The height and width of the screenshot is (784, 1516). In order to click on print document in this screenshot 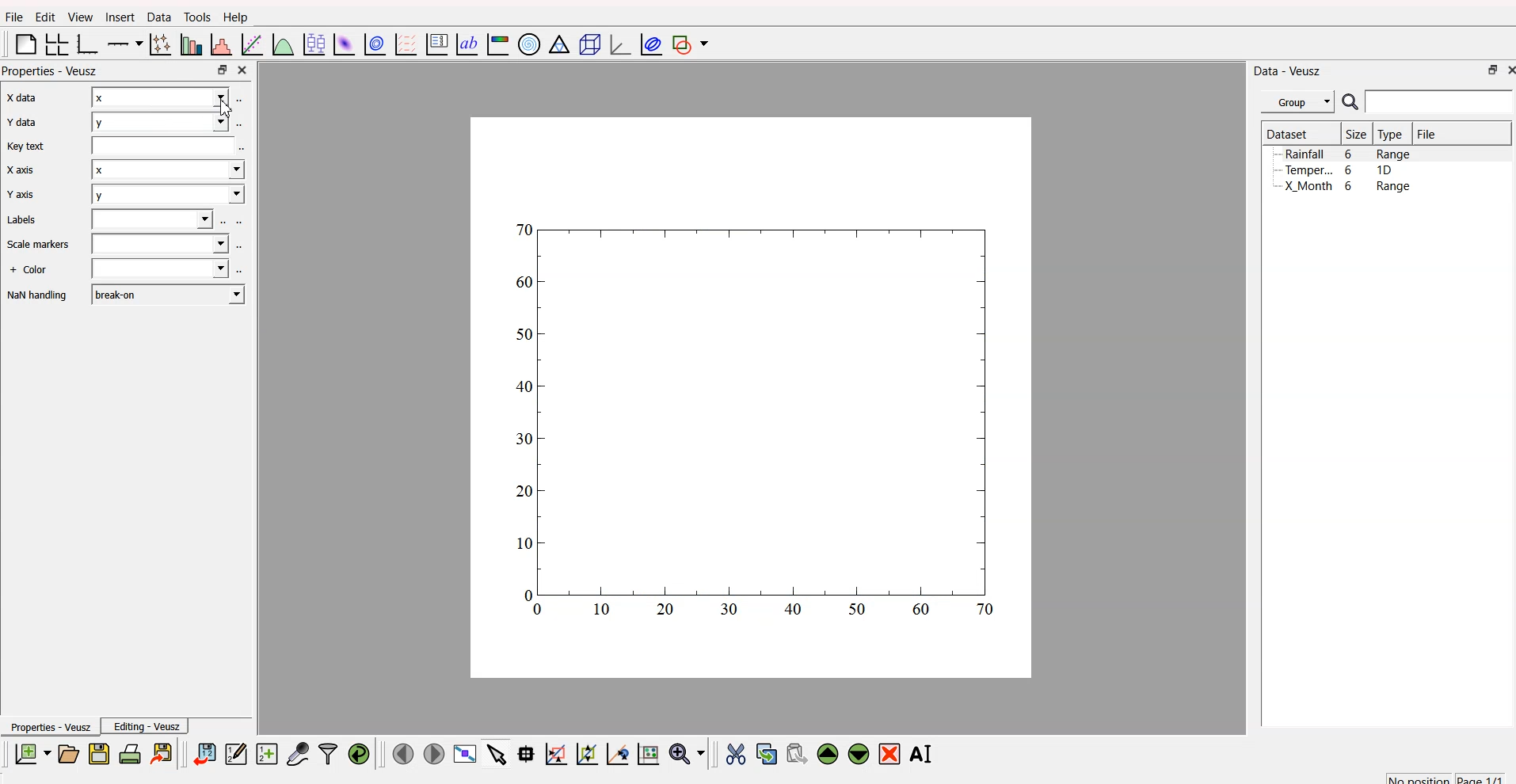, I will do `click(131, 753)`.